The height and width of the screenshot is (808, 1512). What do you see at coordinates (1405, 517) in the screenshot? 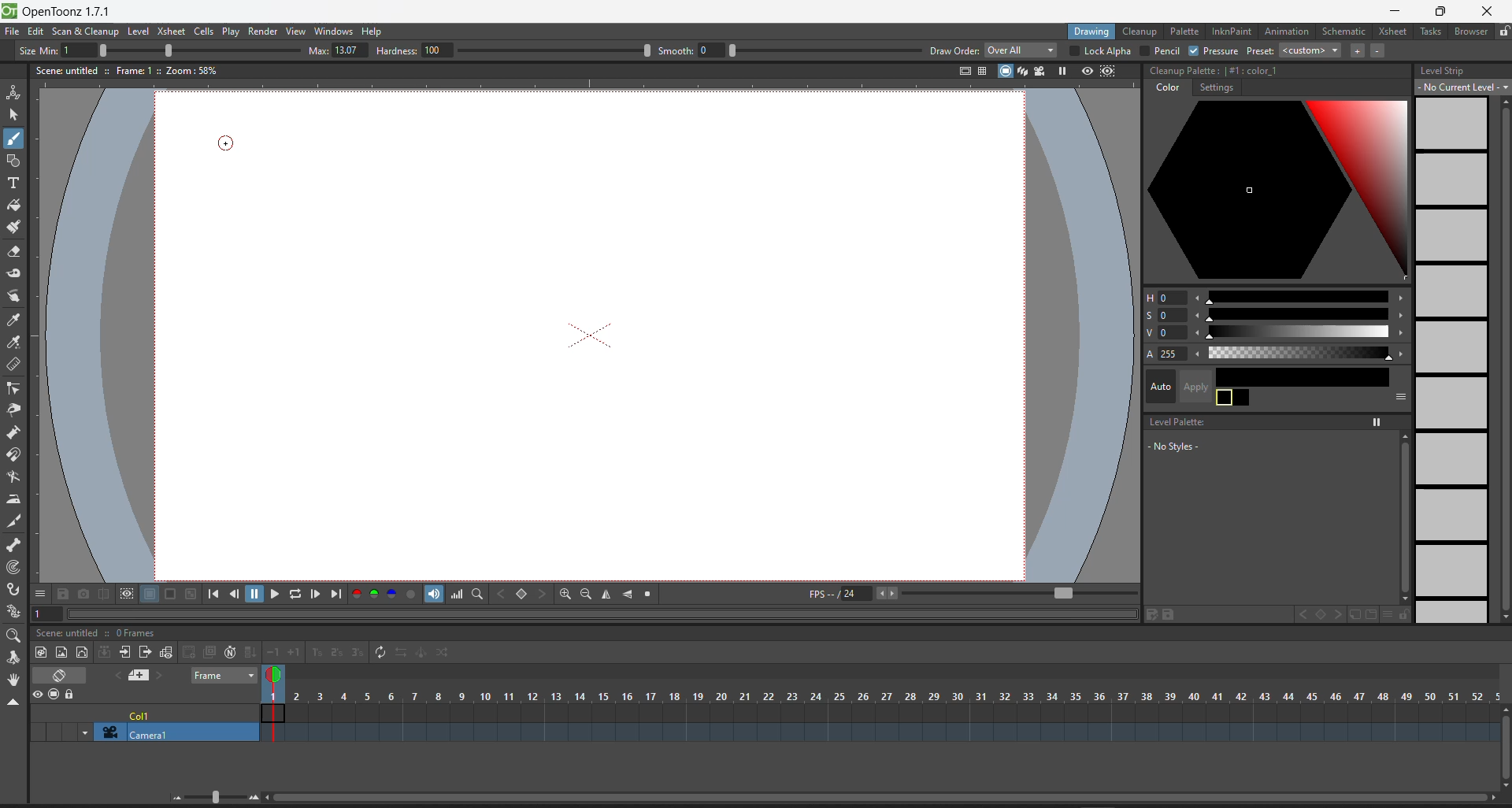
I see `vertical scroll bar` at bounding box center [1405, 517].